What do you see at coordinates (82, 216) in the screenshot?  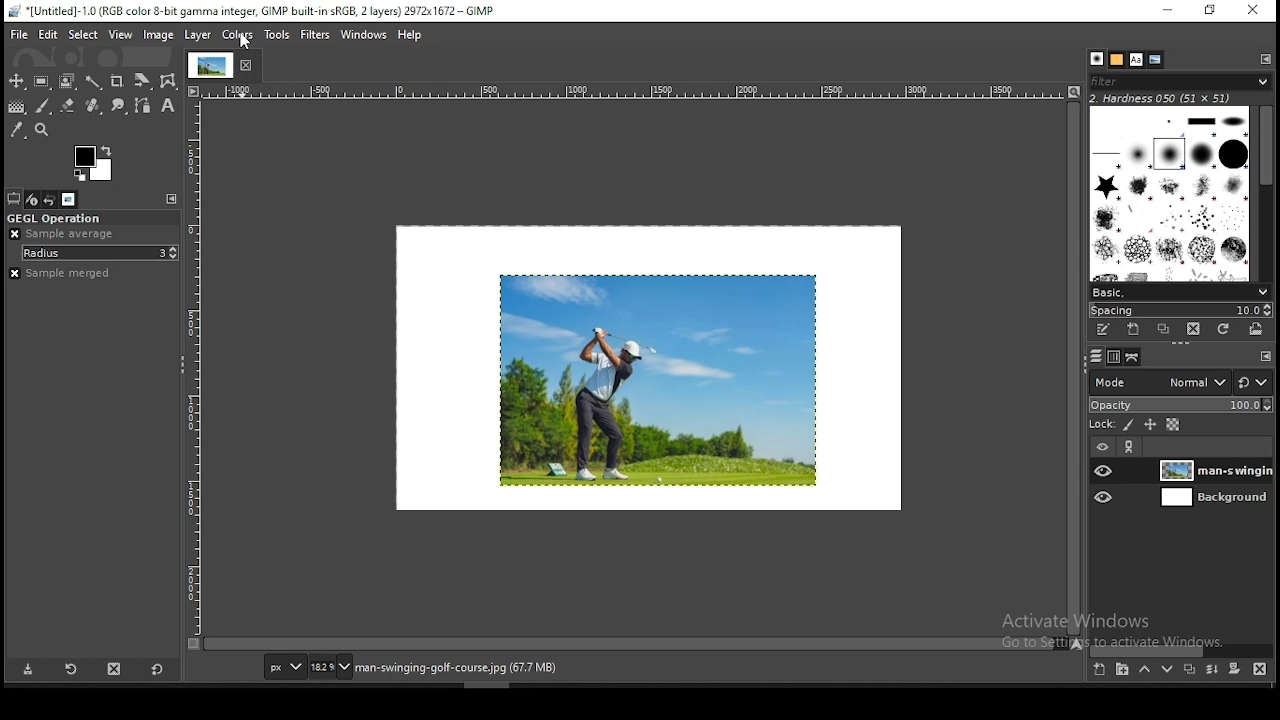 I see `GEGL operation` at bounding box center [82, 216].